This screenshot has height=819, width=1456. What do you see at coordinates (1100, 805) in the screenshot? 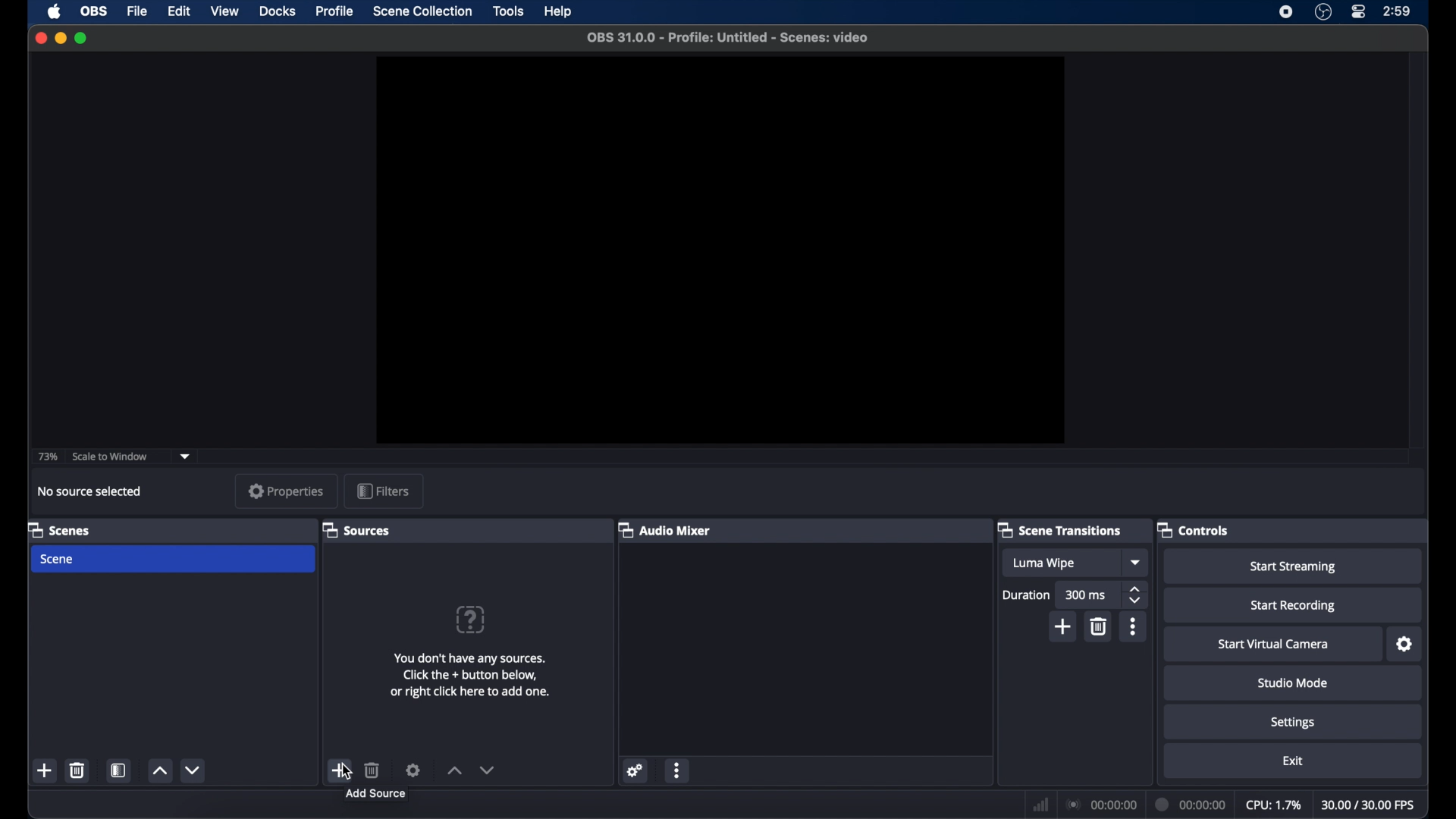
I see `connection` at bounding box center [1100, 805].